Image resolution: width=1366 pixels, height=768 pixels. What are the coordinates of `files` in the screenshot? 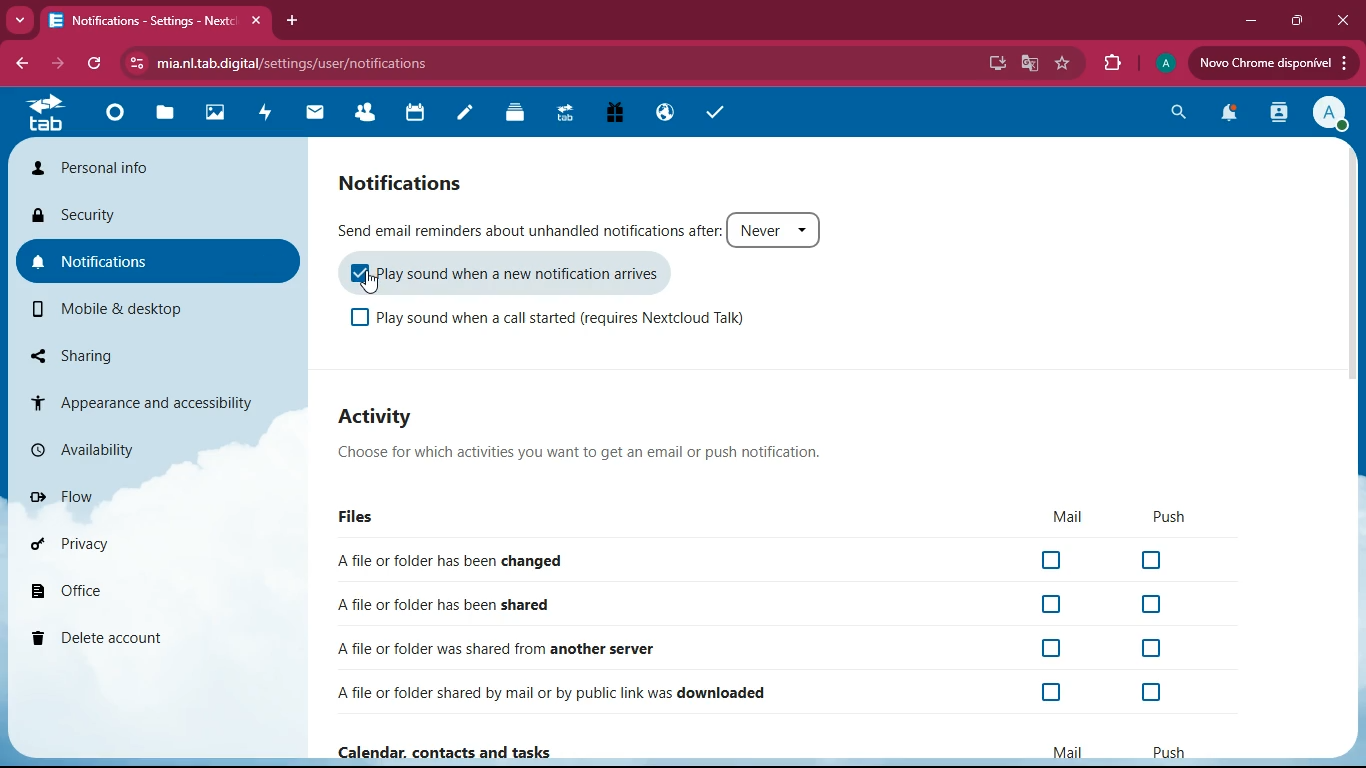 It's located at (359, 516).